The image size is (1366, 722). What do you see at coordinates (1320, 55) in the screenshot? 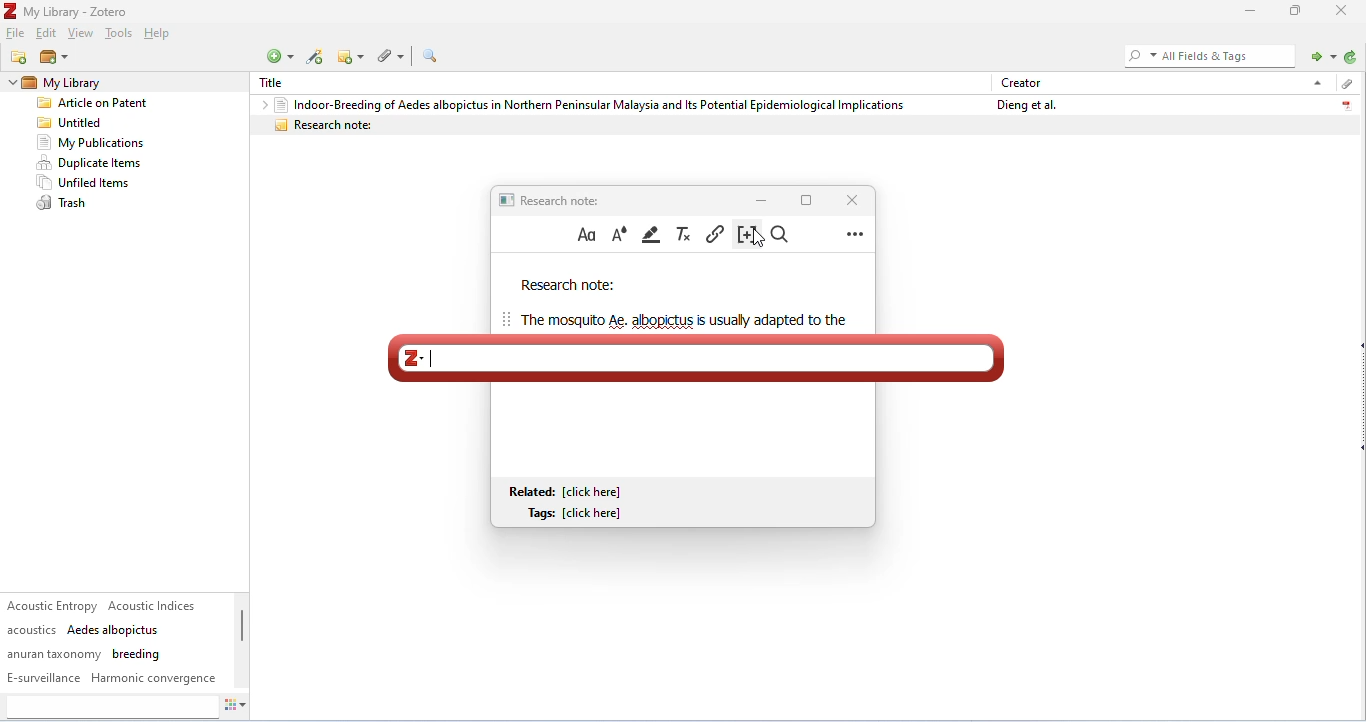
I see `locate` at bounding box center [1320, 55].